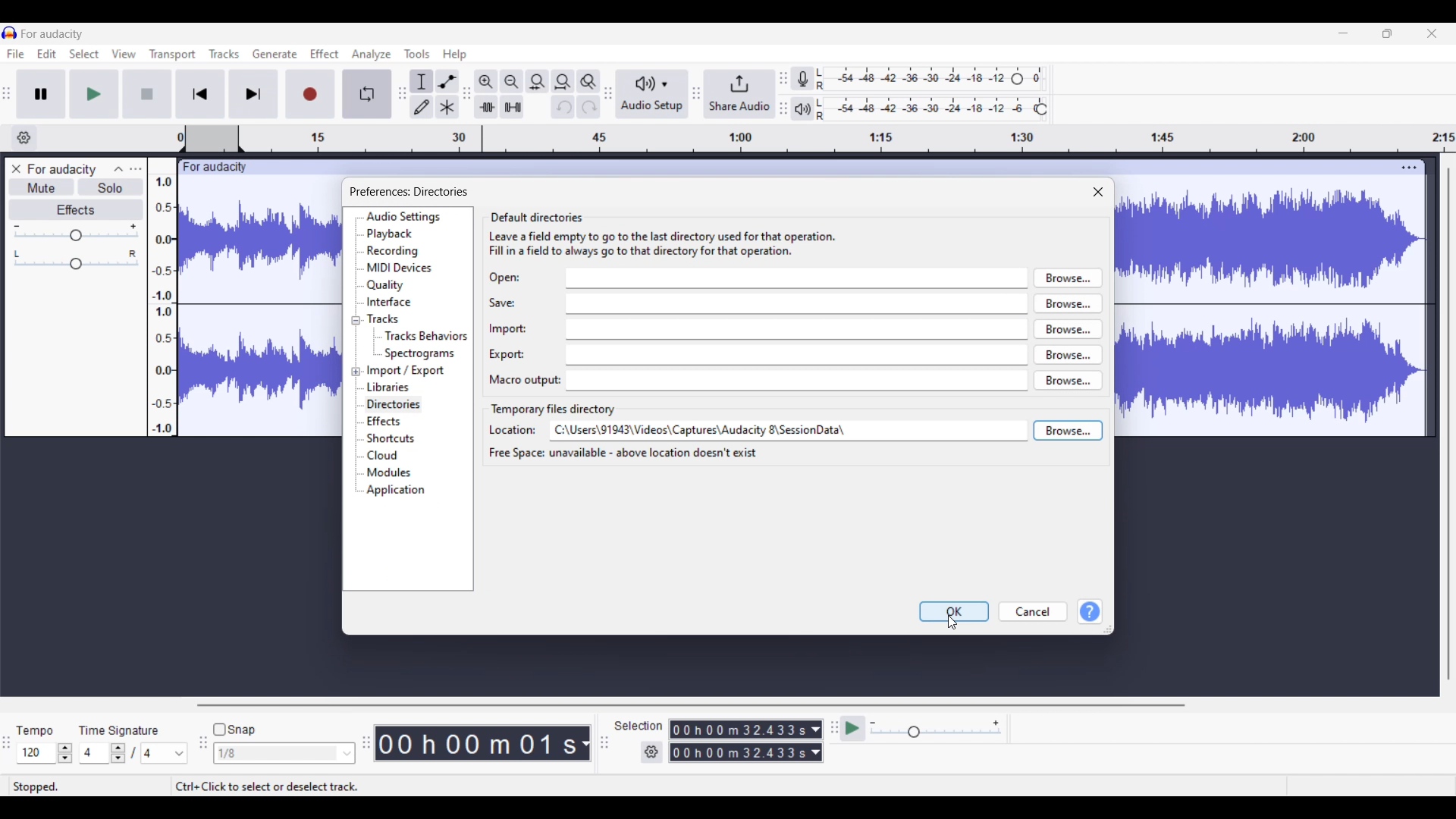 The height and width of the screenshot is (819, 1456). What do you see at coordinates (585, 744) in the screenshot?
I see `Measurement` at bounding box center [585, 744].